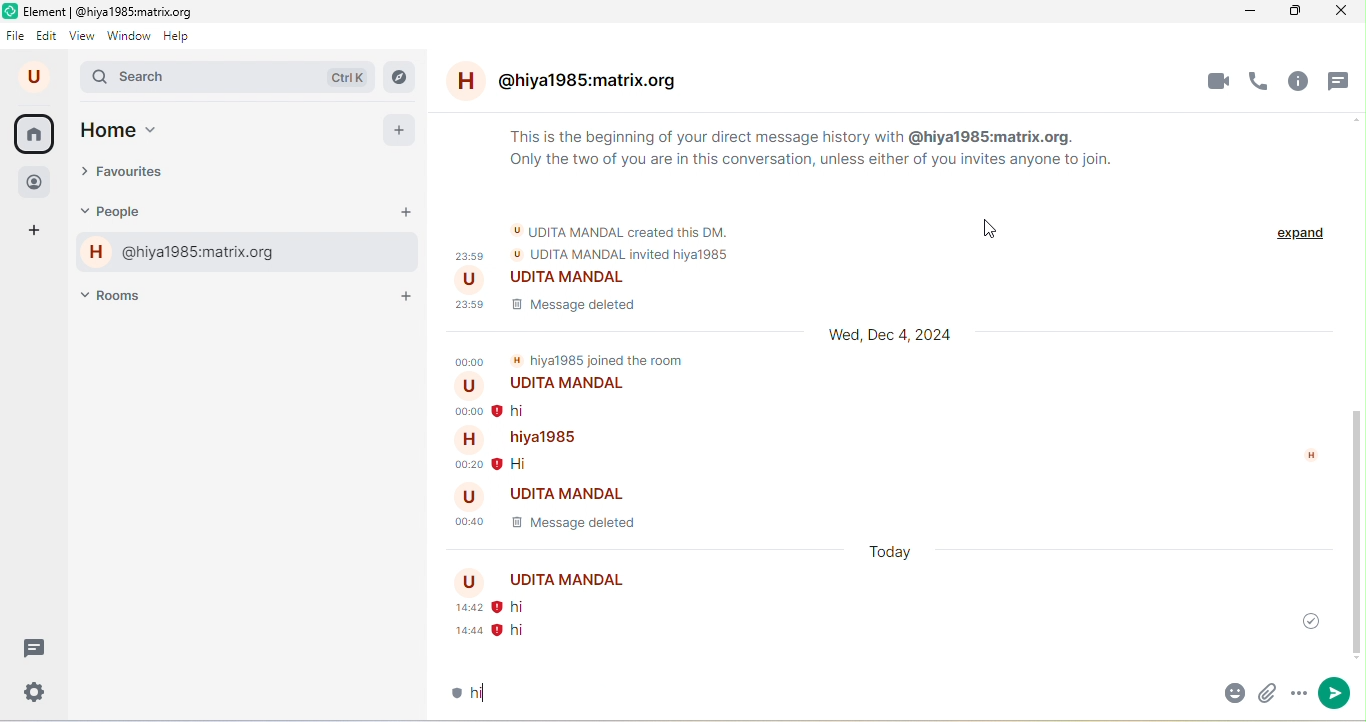 This screenshot has height=722, width=1366. Describe the element at coordinates (34, 134) in the screenshot. I see `home` at that location.